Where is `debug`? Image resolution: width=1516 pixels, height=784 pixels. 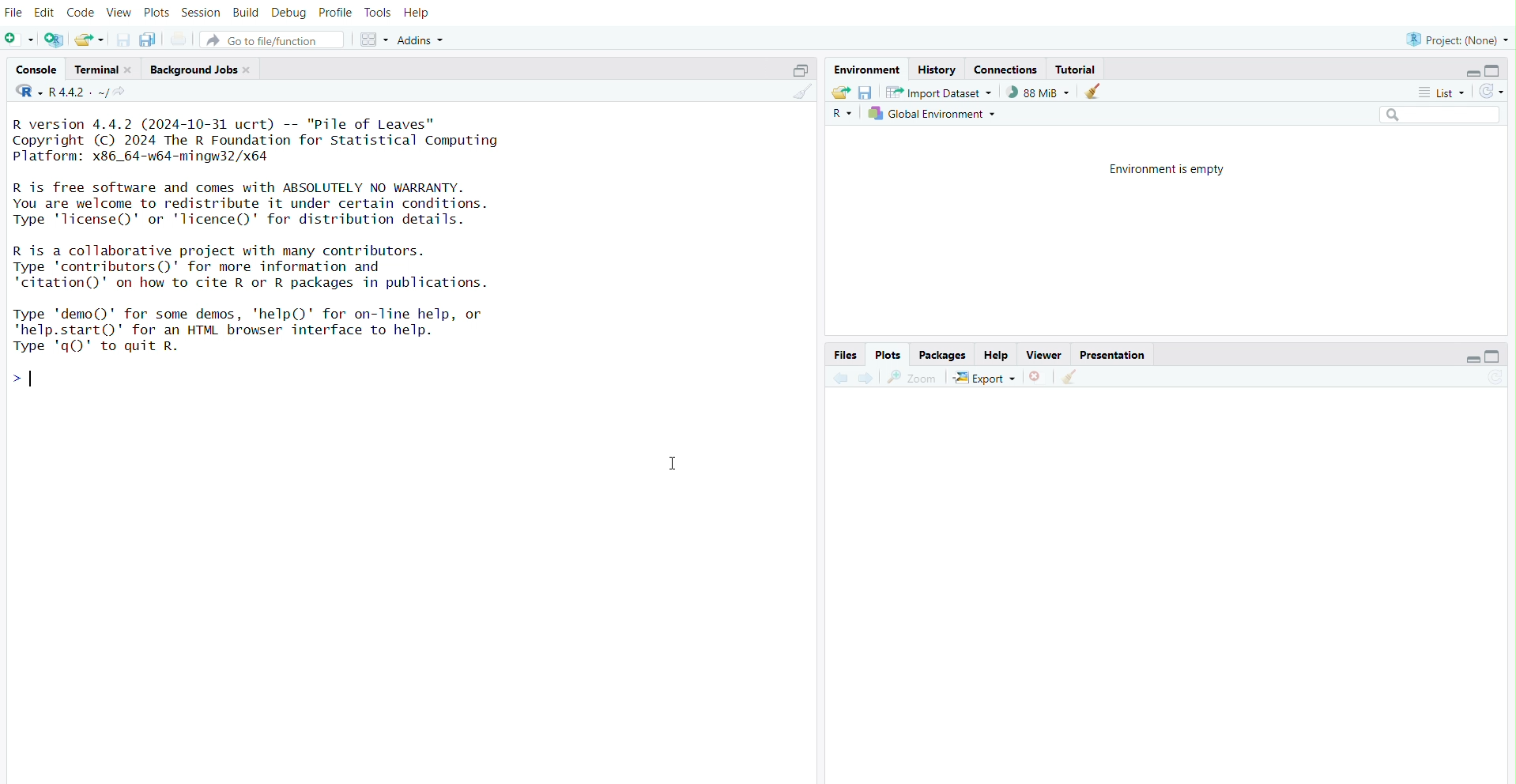
debug is located at coordinates (290, 10).